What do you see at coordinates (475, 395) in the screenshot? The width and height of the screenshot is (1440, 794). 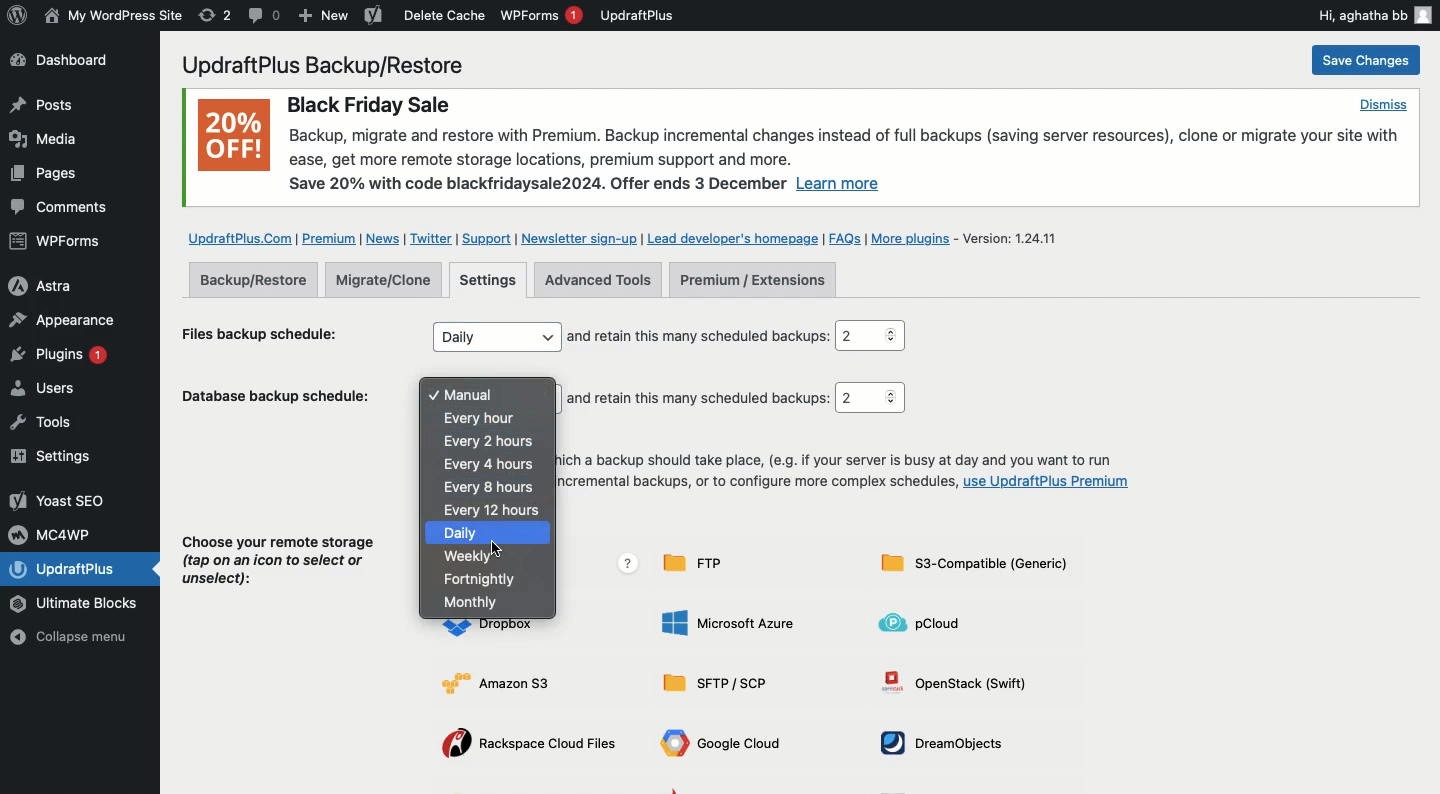 I see `Manual` at bounding box center [475, 395].